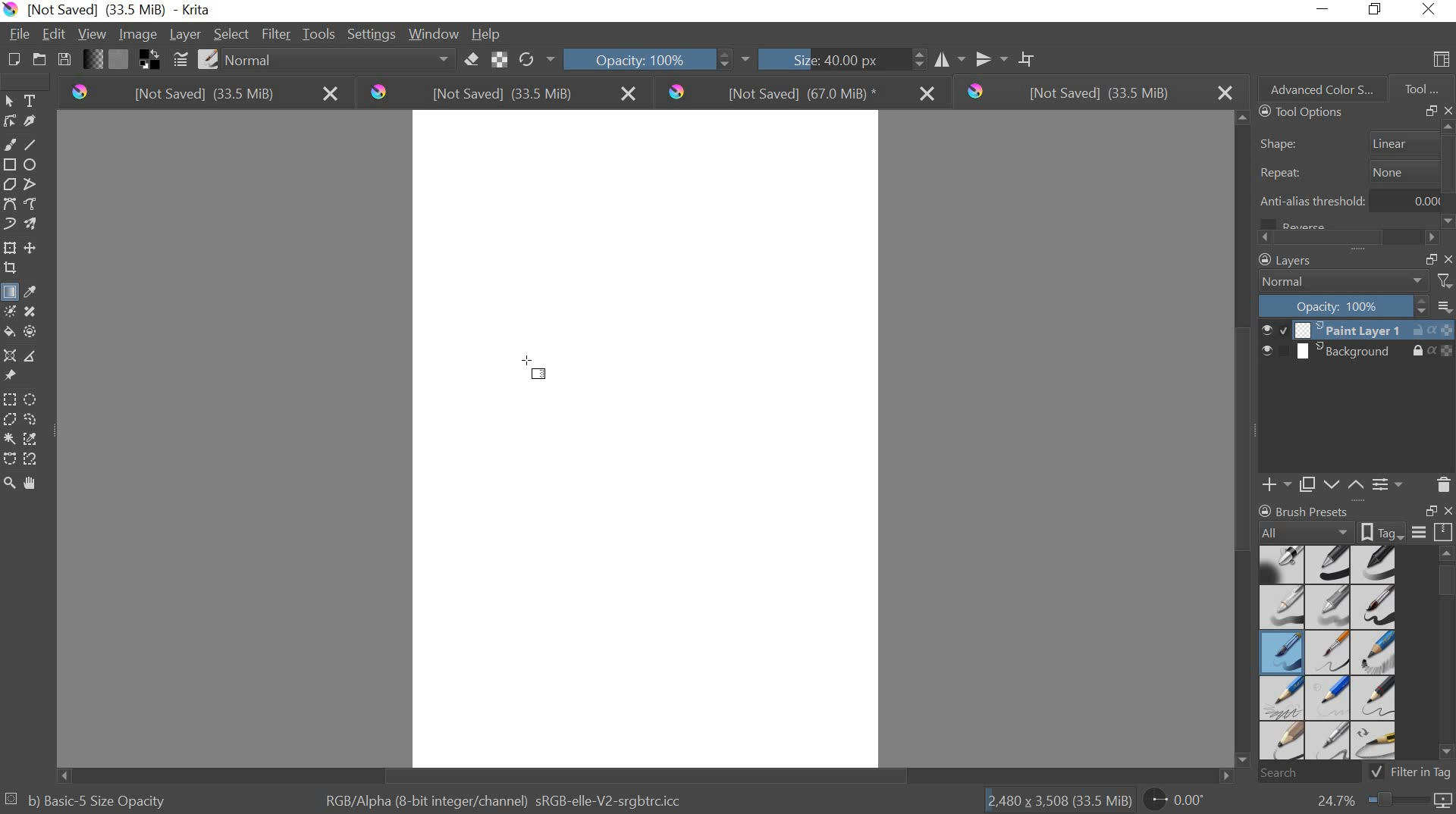 The width and height of the screenshot is (1456, 814). I want to click on similar color selection, so click(33, 439).